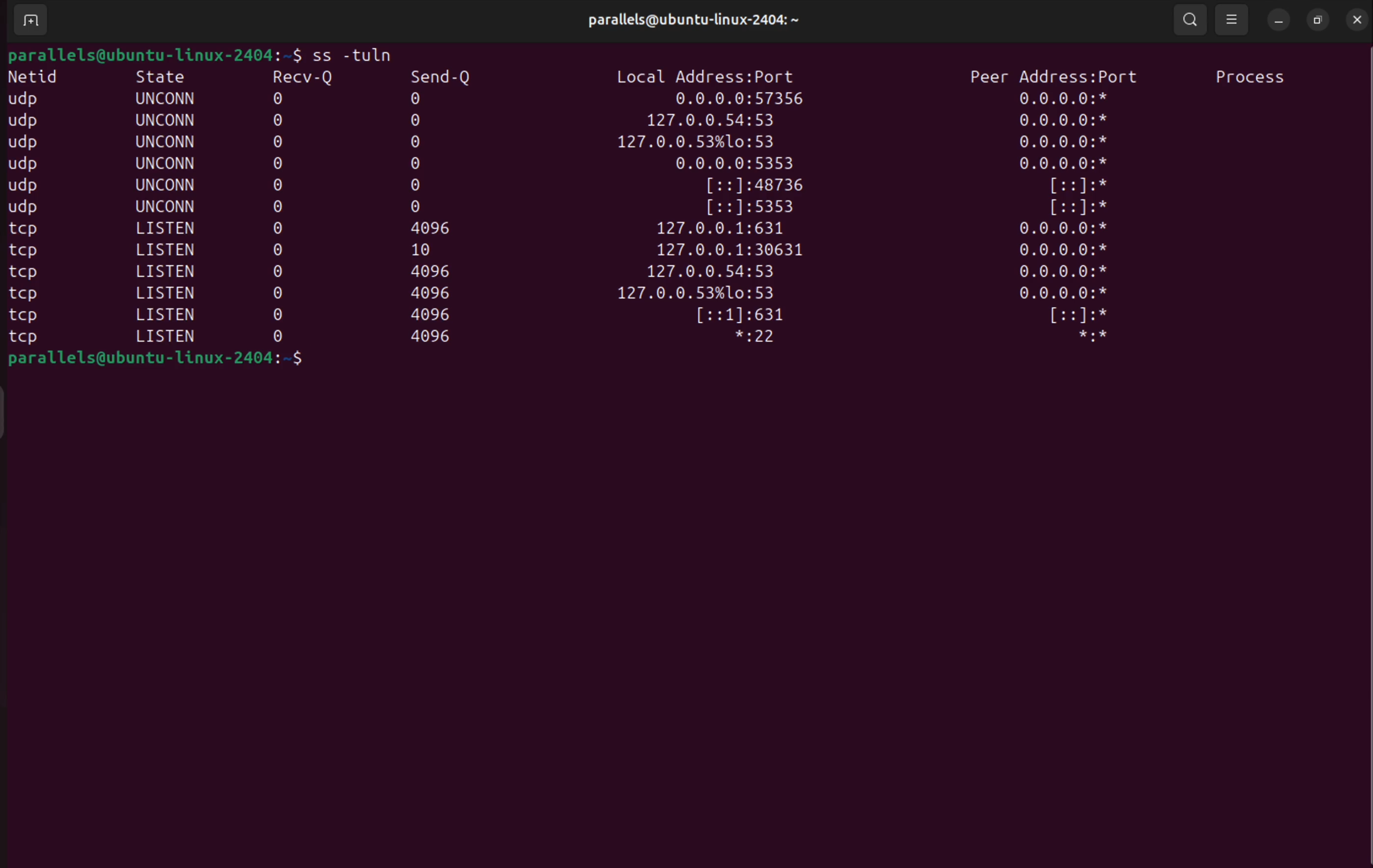 The image size is (1373, 868). Describe the element at coordinates (424, 98) in the screenshot. I see `0` at that location.